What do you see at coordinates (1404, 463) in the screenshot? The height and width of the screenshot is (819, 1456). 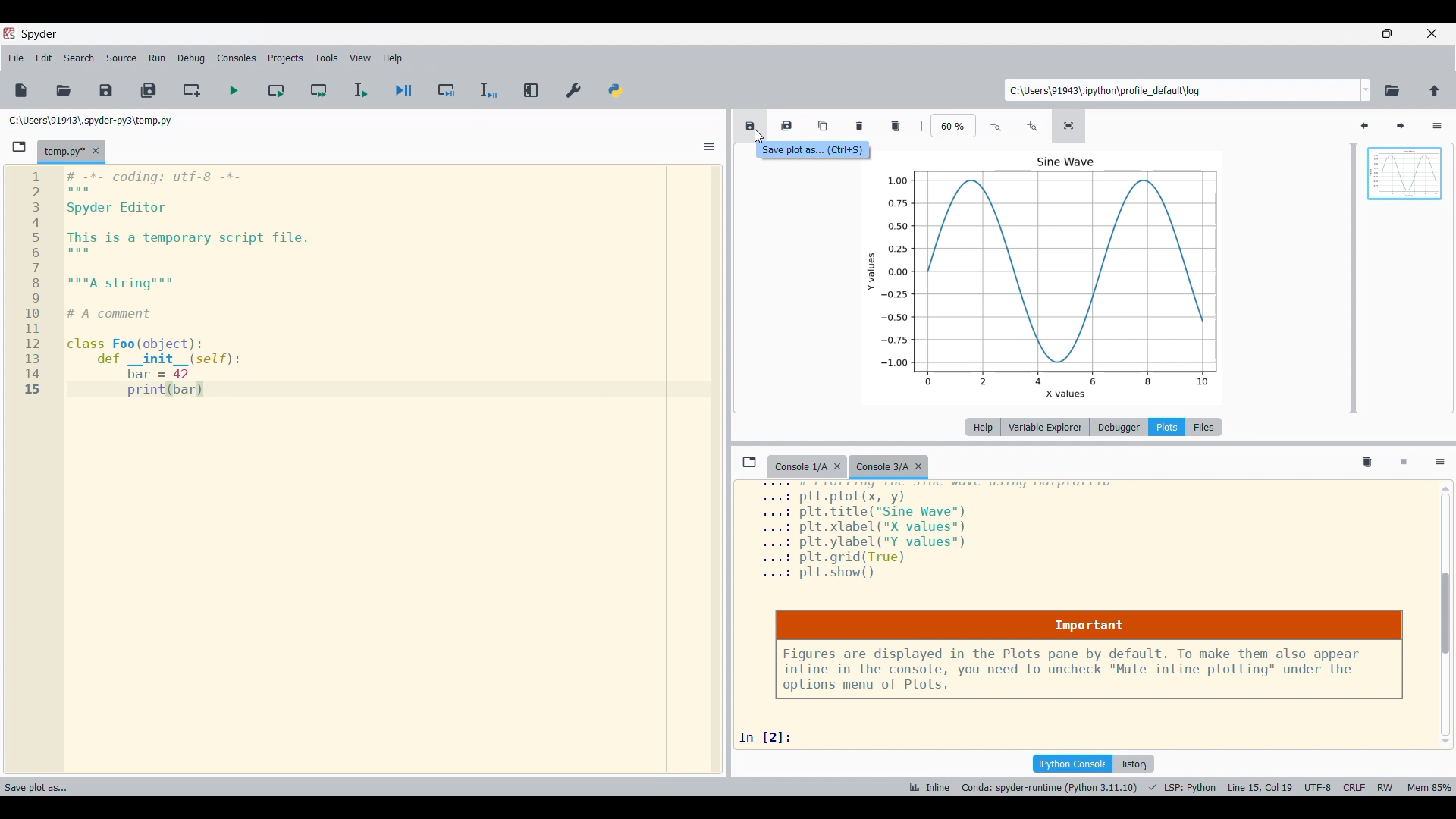 I see `Interrupt kernel` at bounding box center [1404, 463].